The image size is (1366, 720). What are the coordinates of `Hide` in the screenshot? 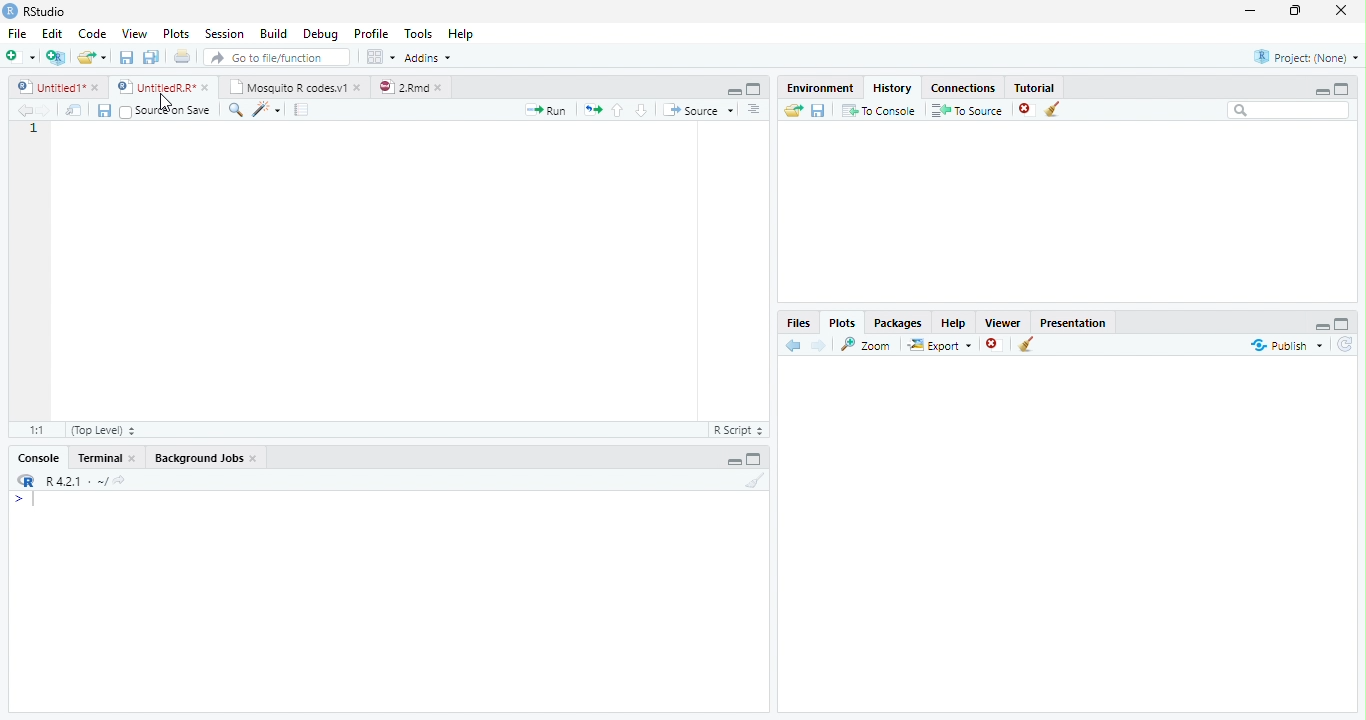 It's located at (732, 91).